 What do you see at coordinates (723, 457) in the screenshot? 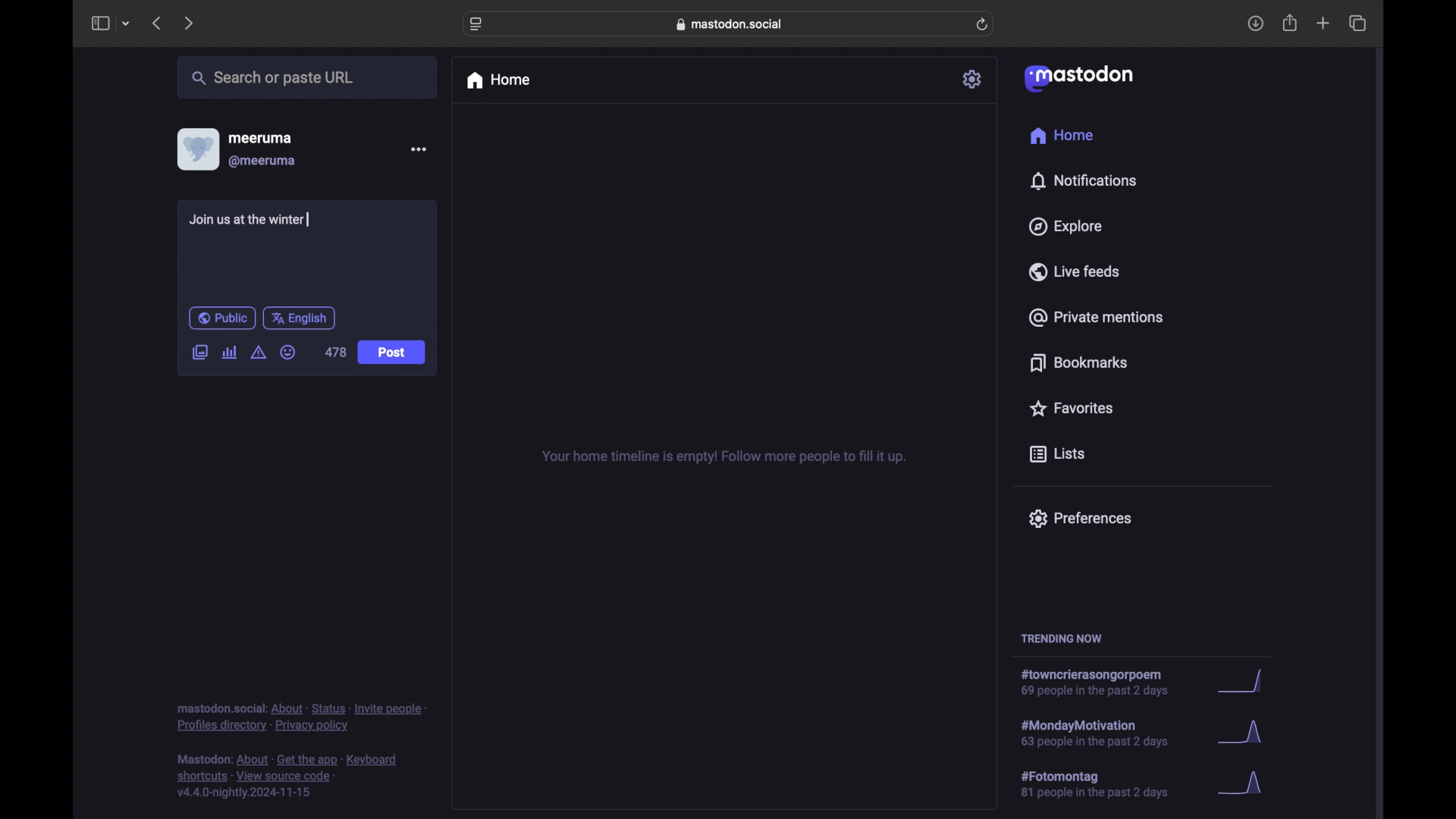
I see `your home timeline is empty! follow more people to fill it up` at bounding box center [723, 457].